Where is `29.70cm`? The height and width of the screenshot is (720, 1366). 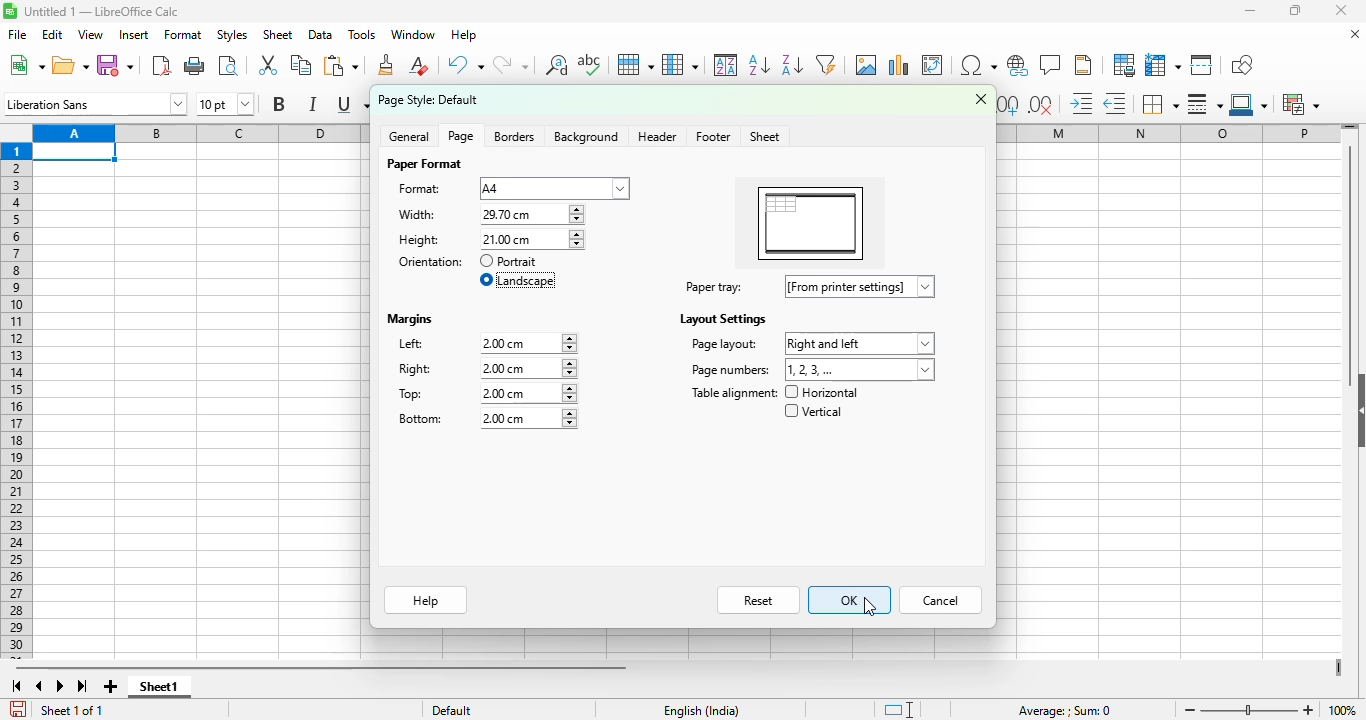 29.70cm is located at coordinates (531, 240).